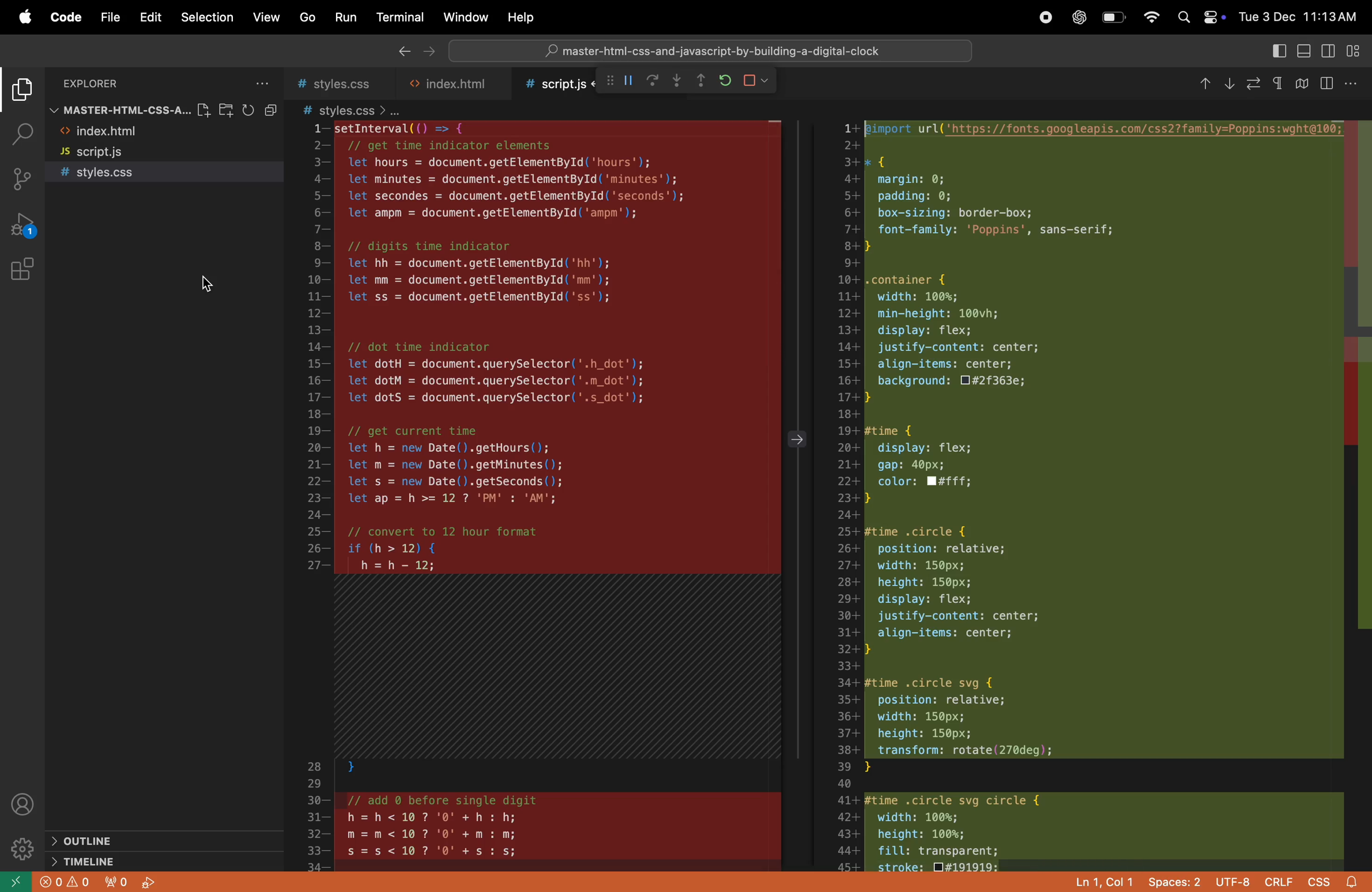 This screenshot has height=892, width=1372. Describe the element at coordinates (549, 84) in the screenshot. I see `script .js` at that location.